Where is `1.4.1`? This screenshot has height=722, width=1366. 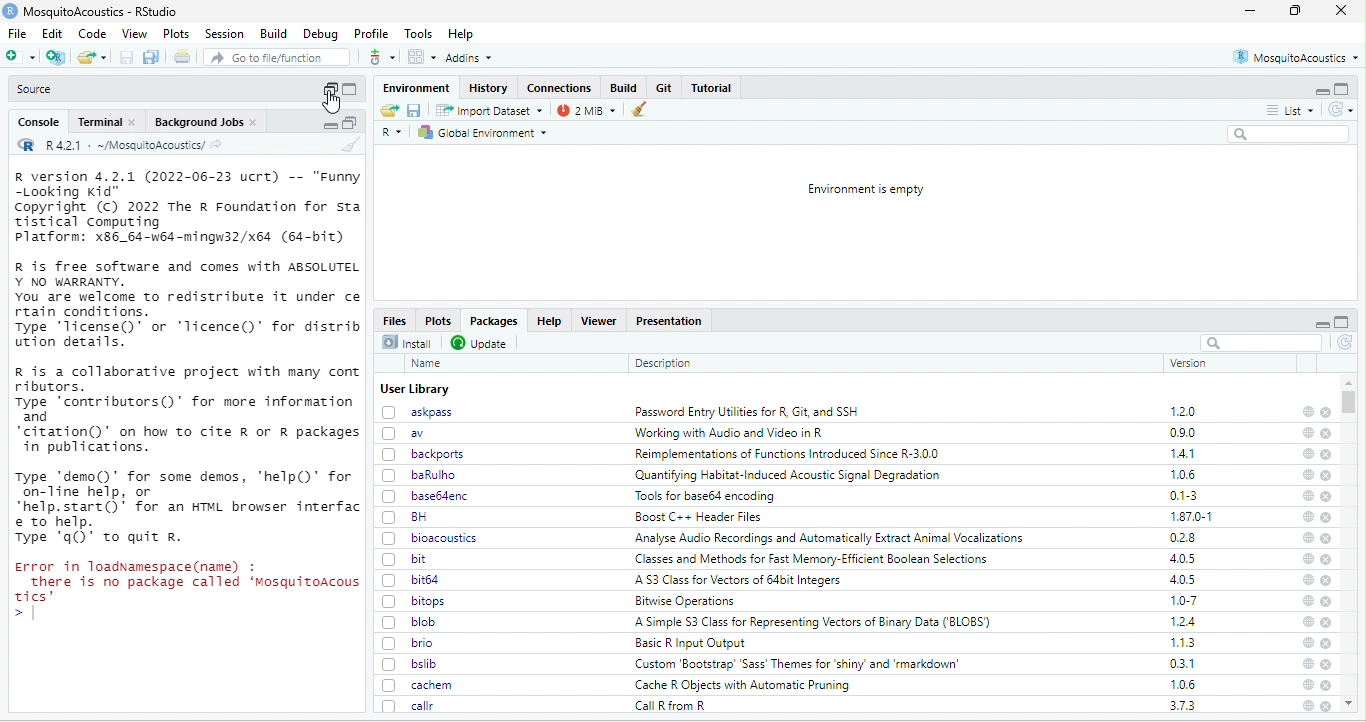
1.4.1 is located at coordinates (1185, 454).